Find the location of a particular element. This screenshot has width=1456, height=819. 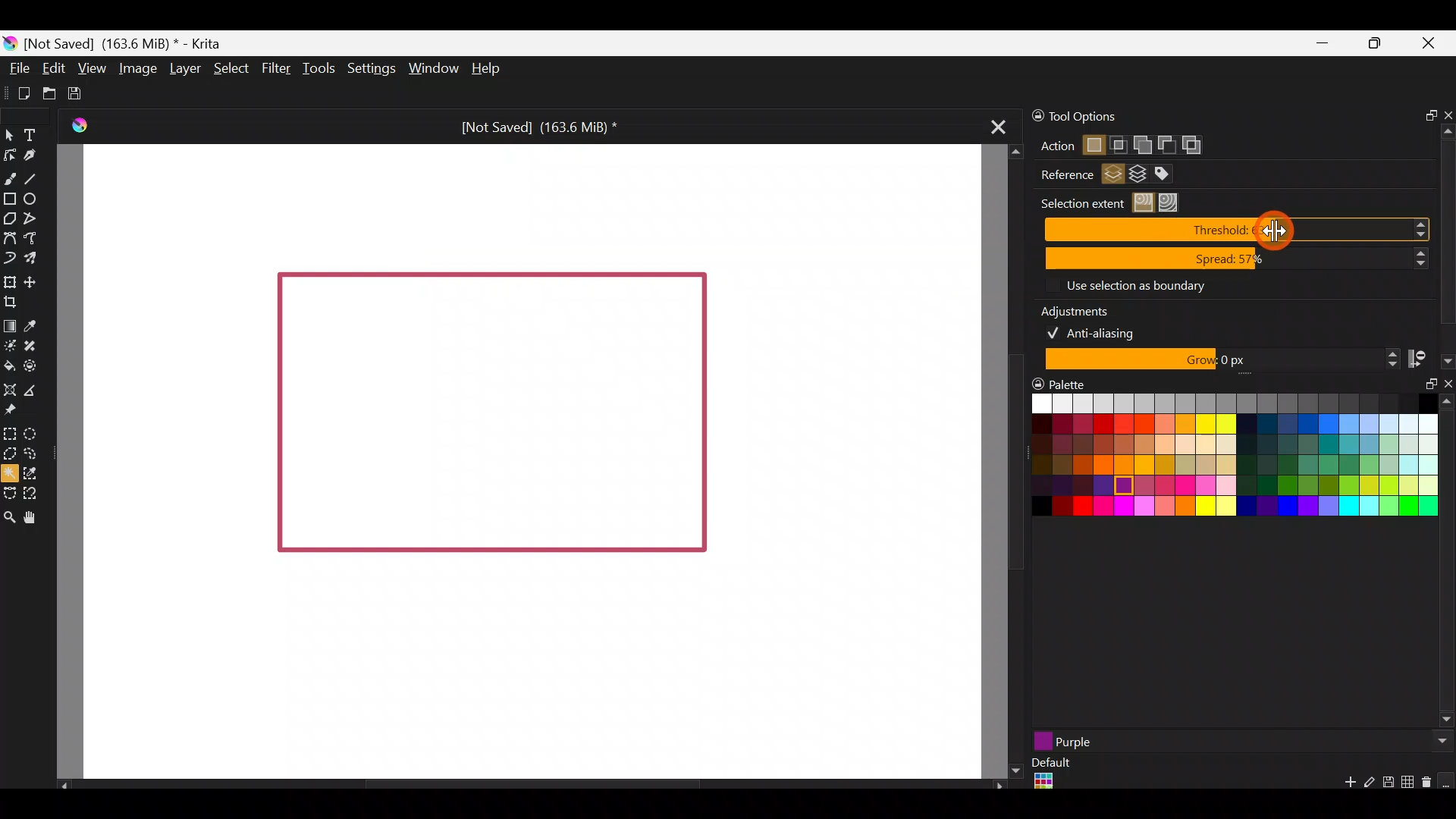

Filter is located at coordinates (274, 68).